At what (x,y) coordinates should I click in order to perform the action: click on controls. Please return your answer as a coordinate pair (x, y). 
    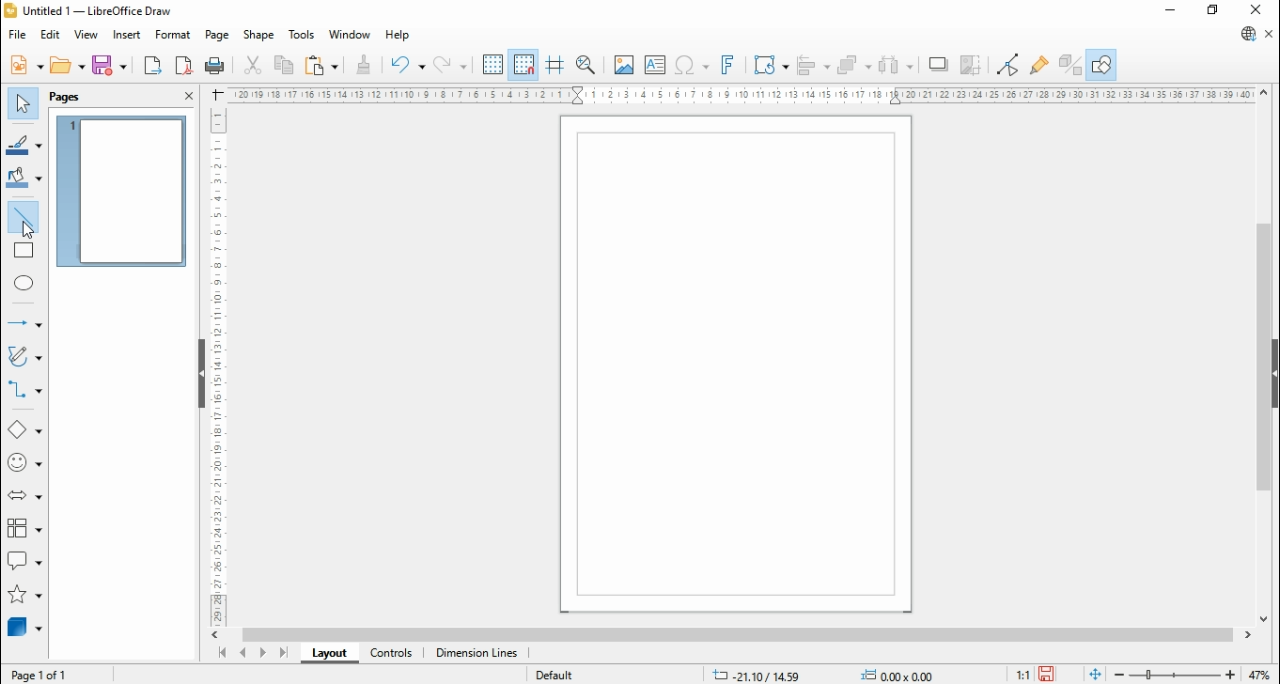
    Looking at the image, I should click on (391, 654).